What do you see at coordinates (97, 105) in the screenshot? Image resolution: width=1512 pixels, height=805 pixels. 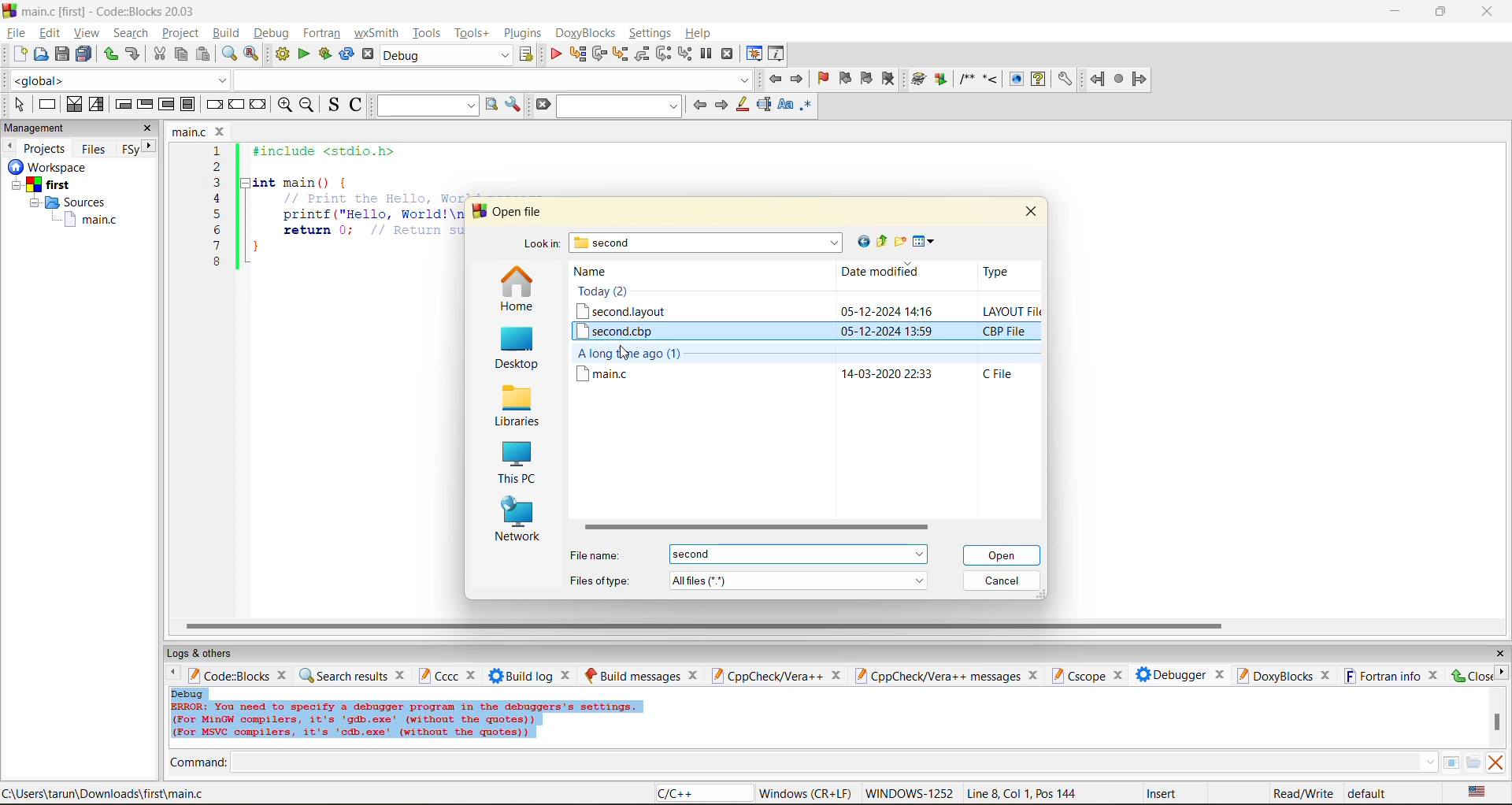 I see `selection` at bounding box center [97, 105].